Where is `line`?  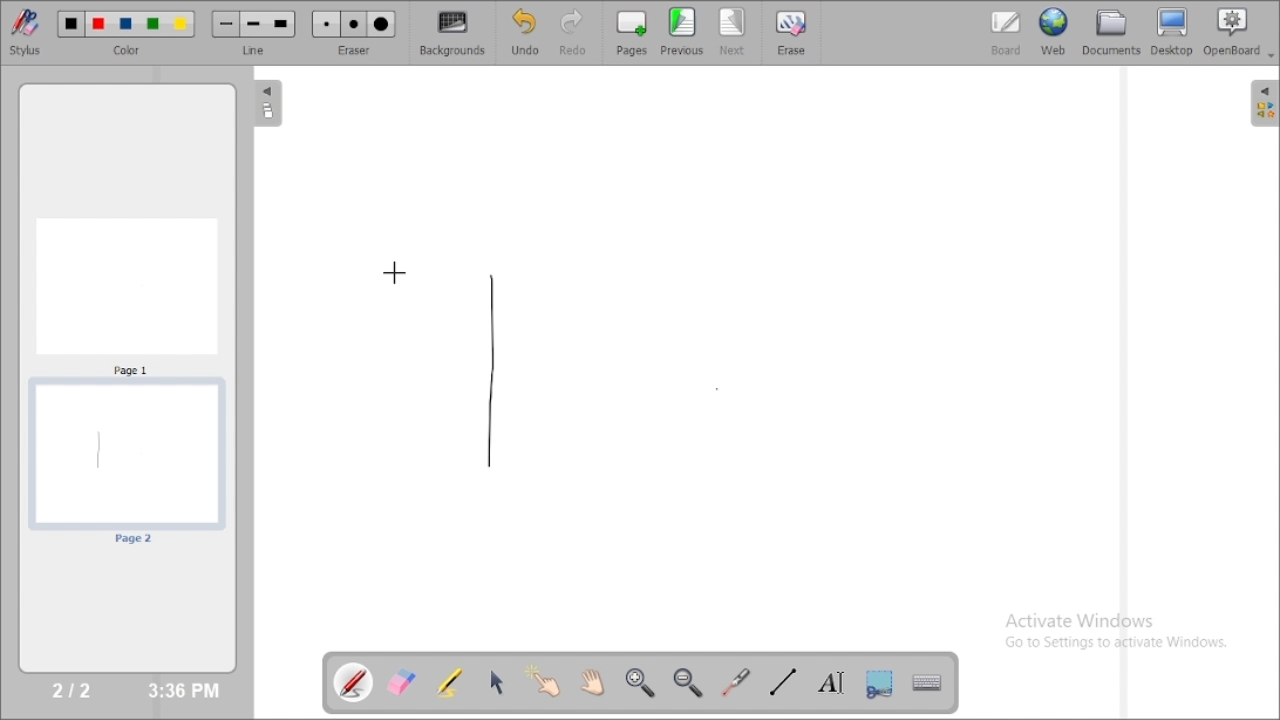
line is located at coordinates (256, 50).